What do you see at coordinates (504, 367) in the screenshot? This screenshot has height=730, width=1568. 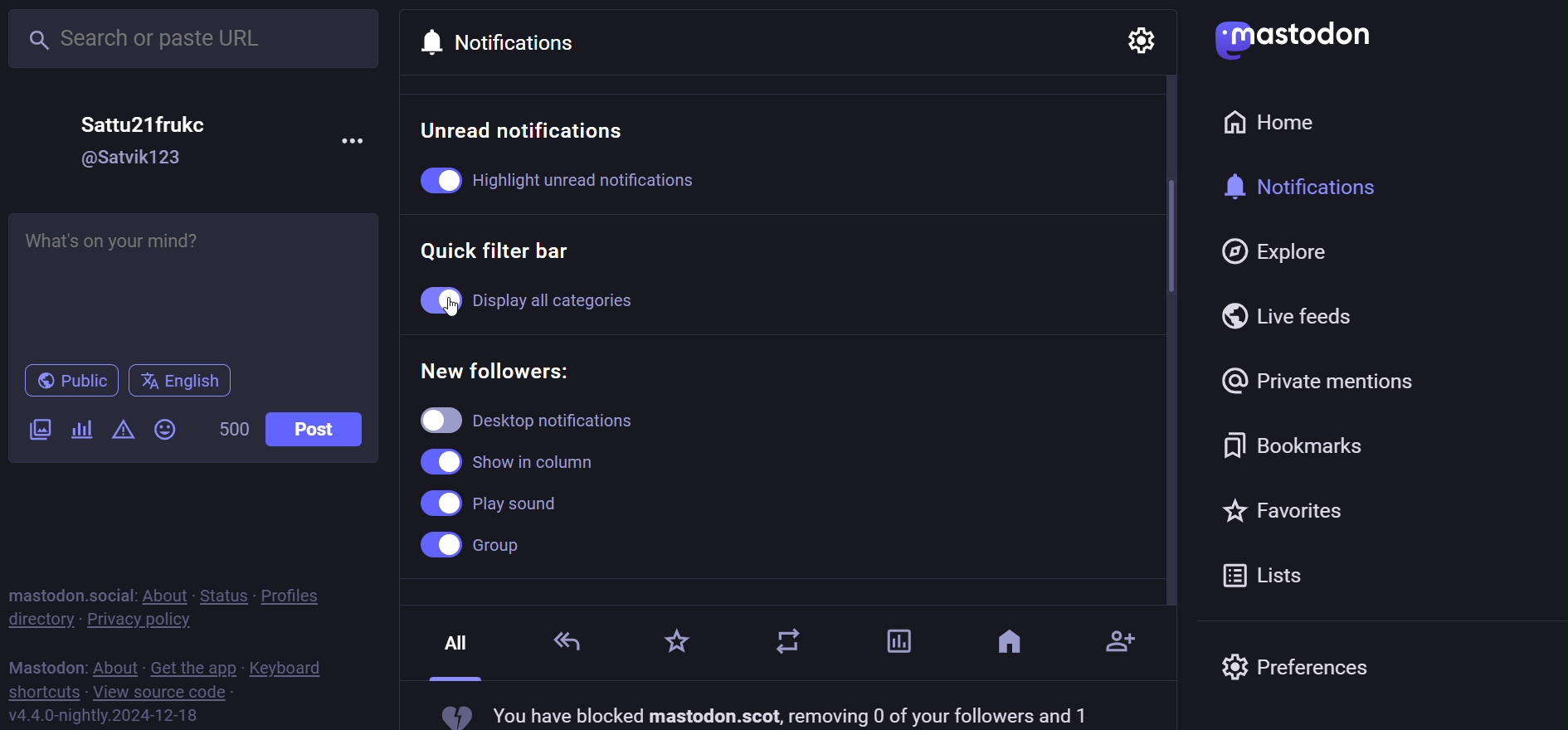 I see `new followers` at bounding box center [504, 367].